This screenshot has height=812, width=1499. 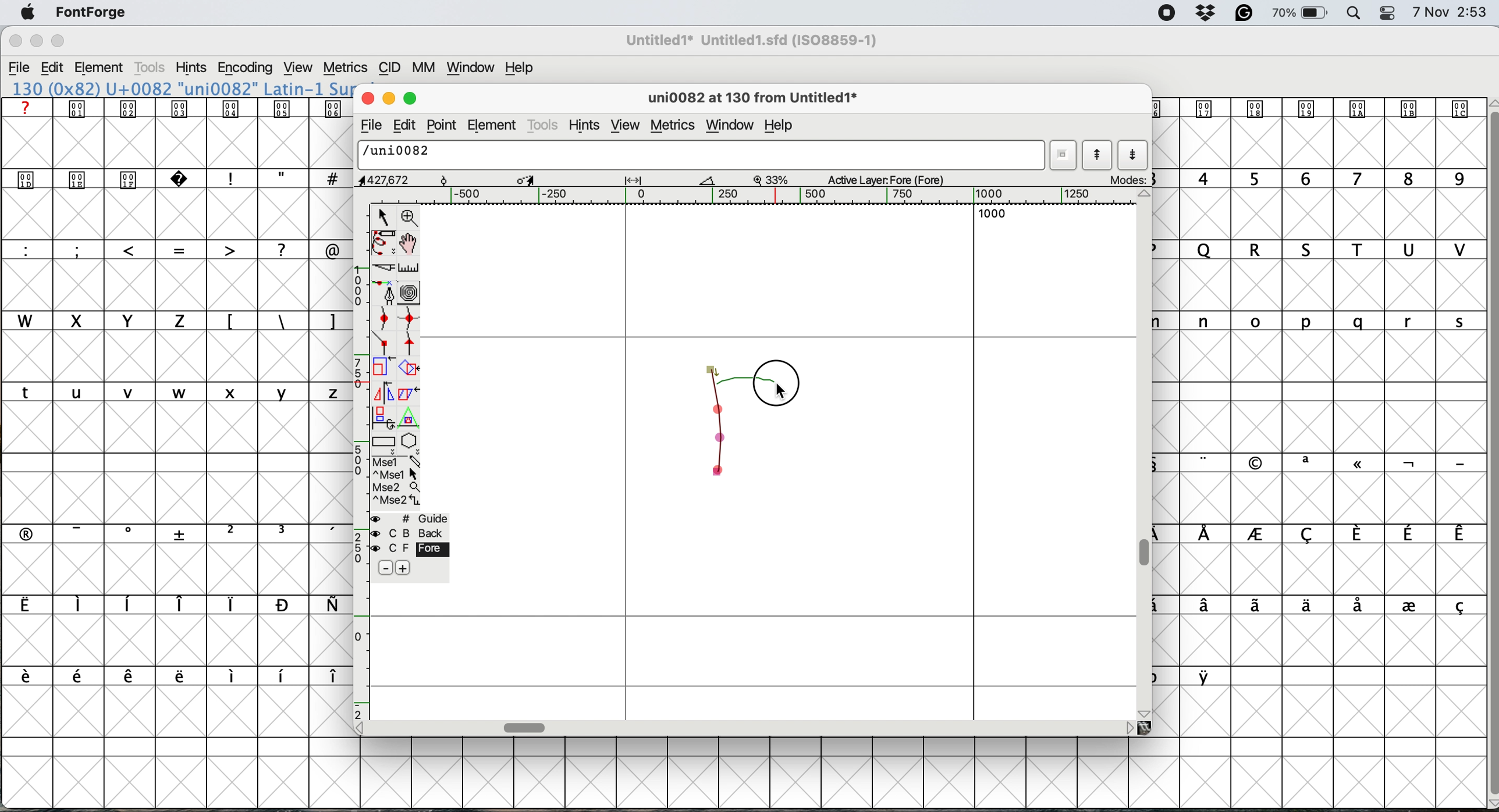 What do you see at coordinates (105, 67) in the screenshot?
I see `element` at bounding box center [105, 67].